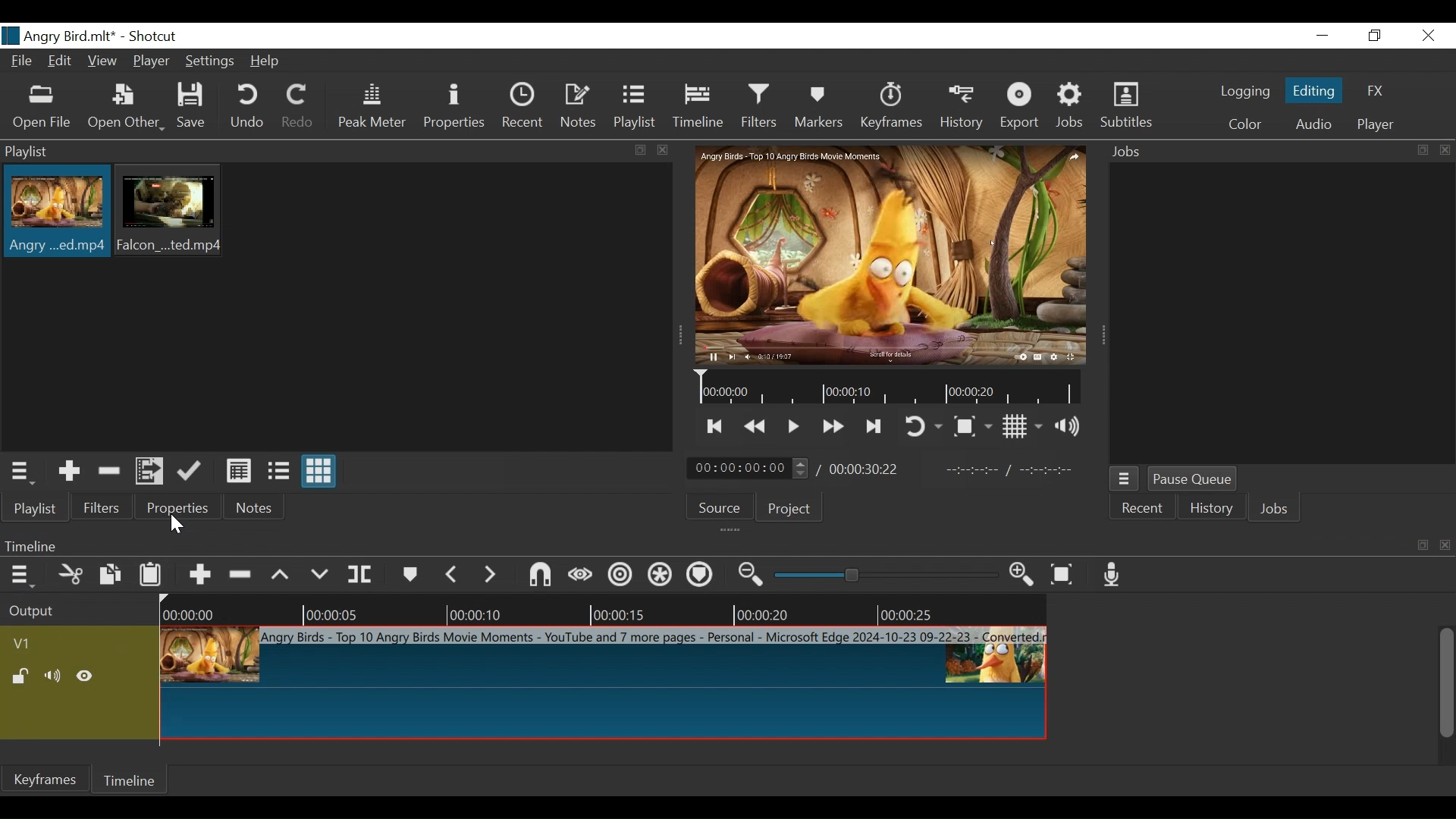 Image resolution: width=1456 pixels, height=819 pixels. I want to click on Timeline menu, so click(724, 545).